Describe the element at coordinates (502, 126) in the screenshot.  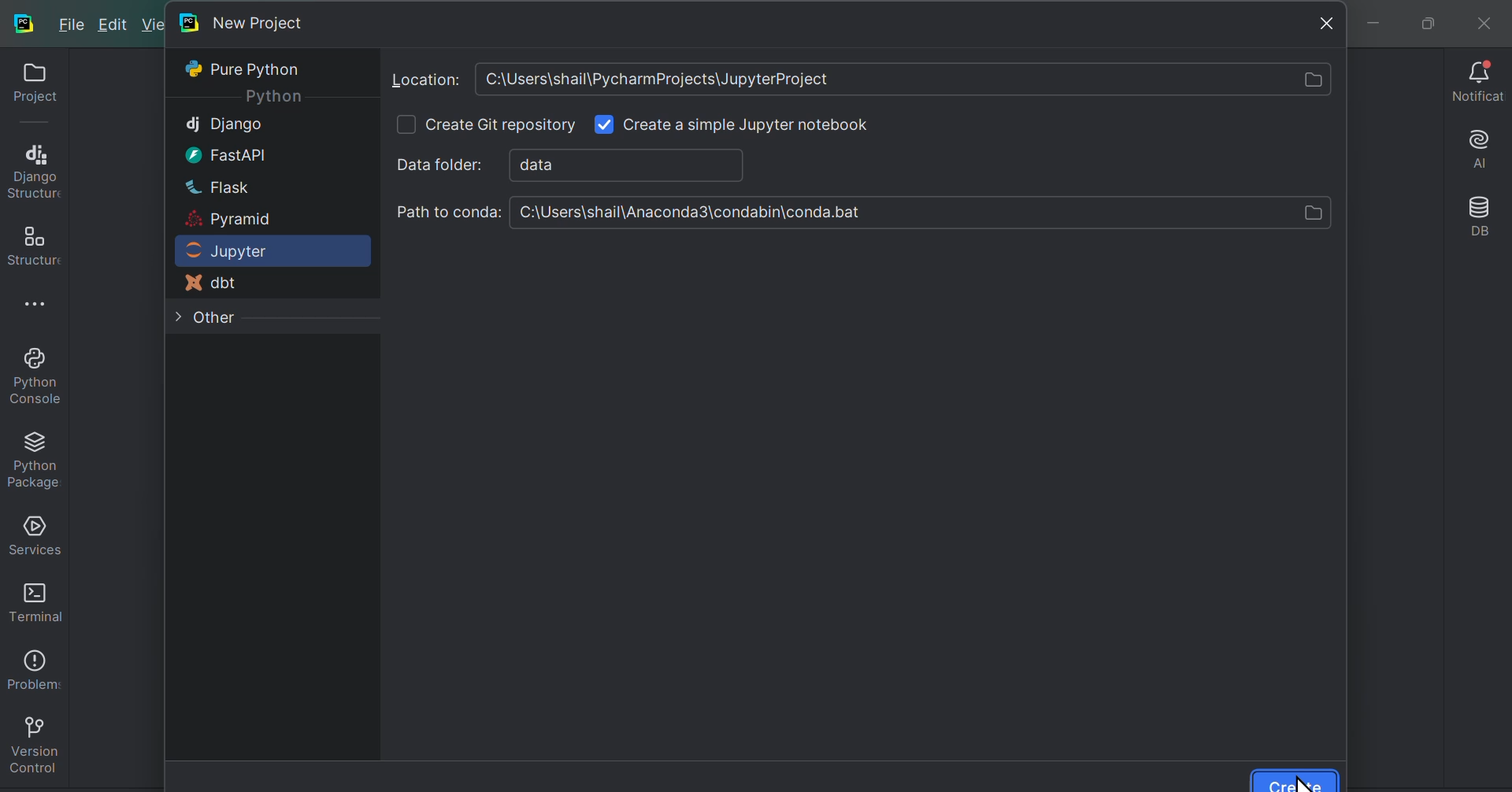
I see `Create git repository` at that location.